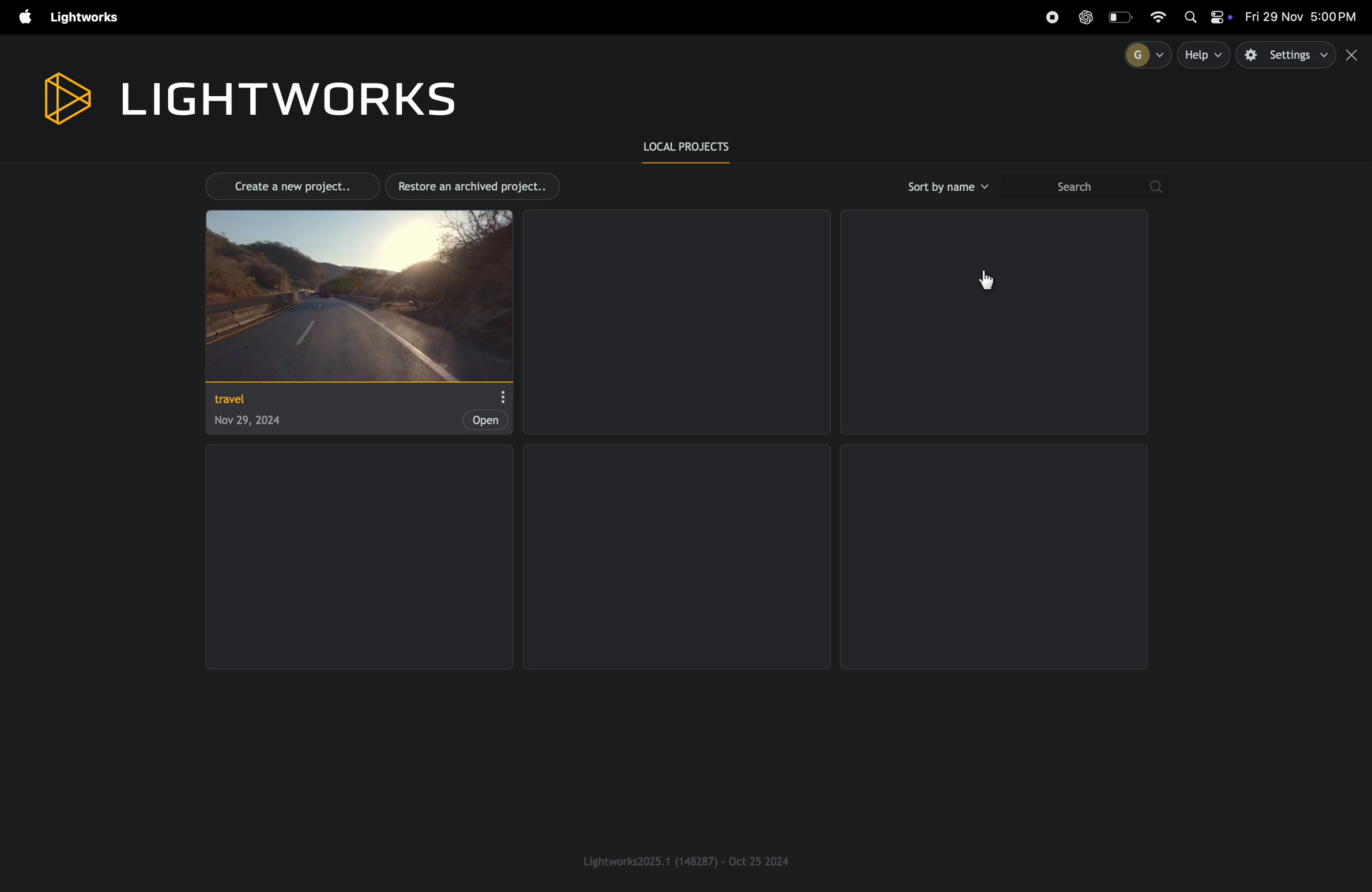 This screenshot has height=892, width=1372. I want to click on profile, so click(1143, 54).